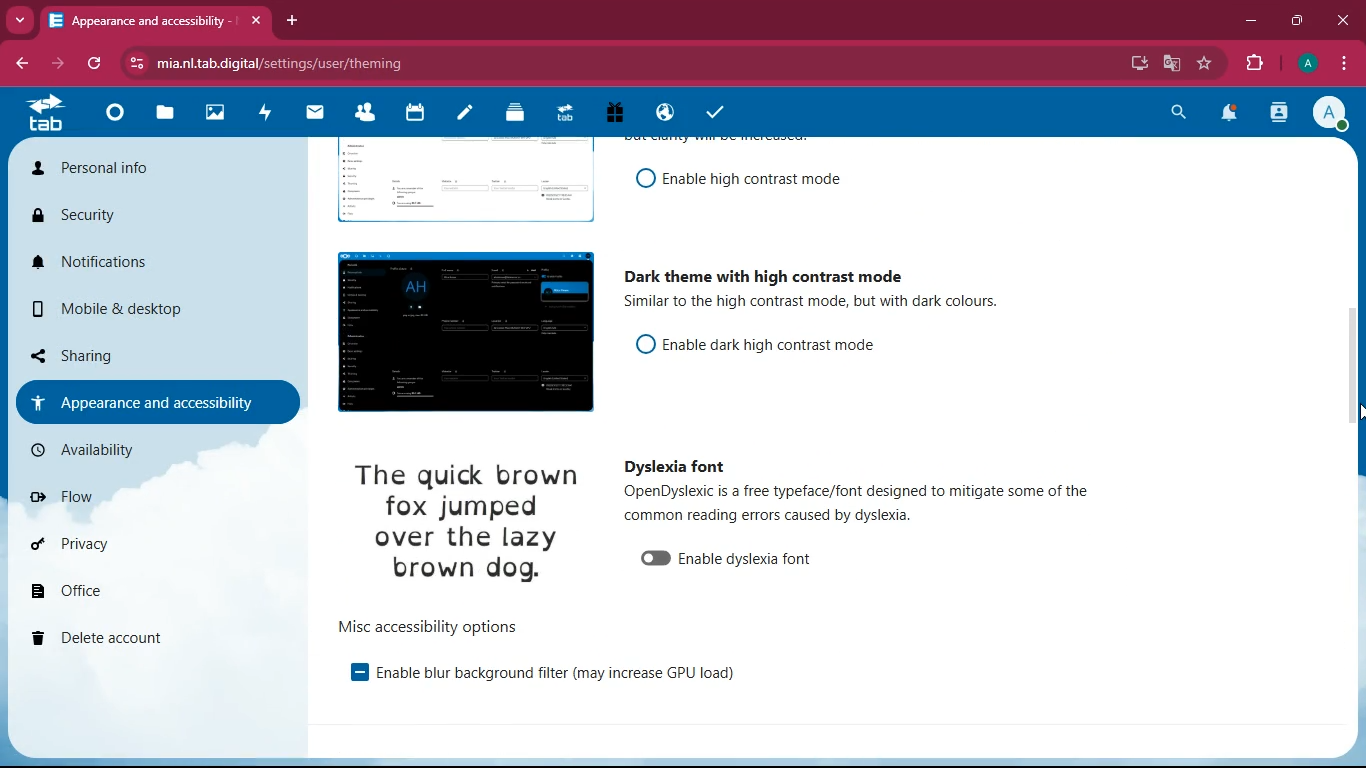 The width and height of the screenshot is (1366, 768). Describe the element at coordinates (1293, 19) in the screenshot. I see `maximize` at that location.